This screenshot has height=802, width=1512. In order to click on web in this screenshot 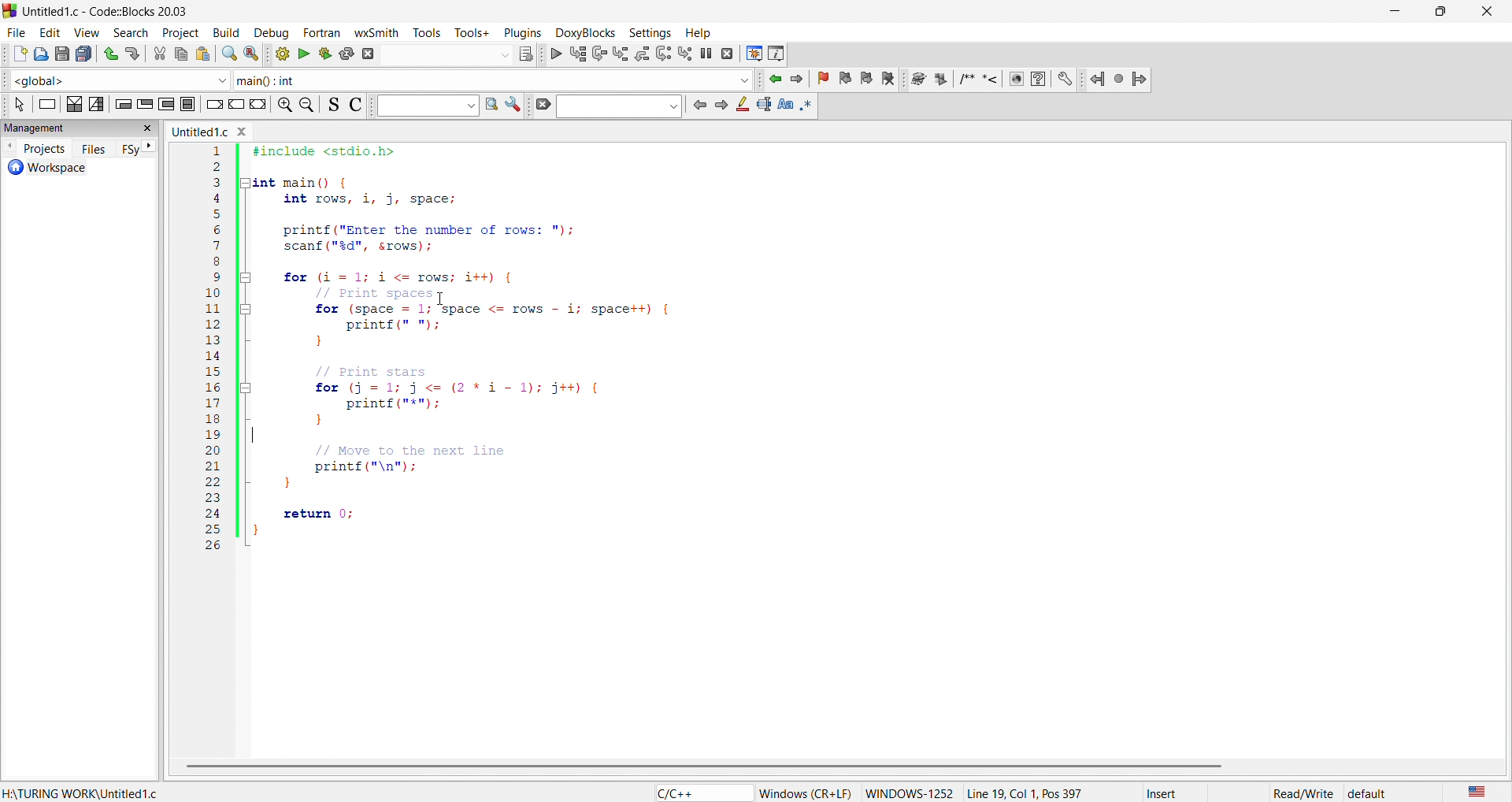, I will do `click(1014, 79)`.